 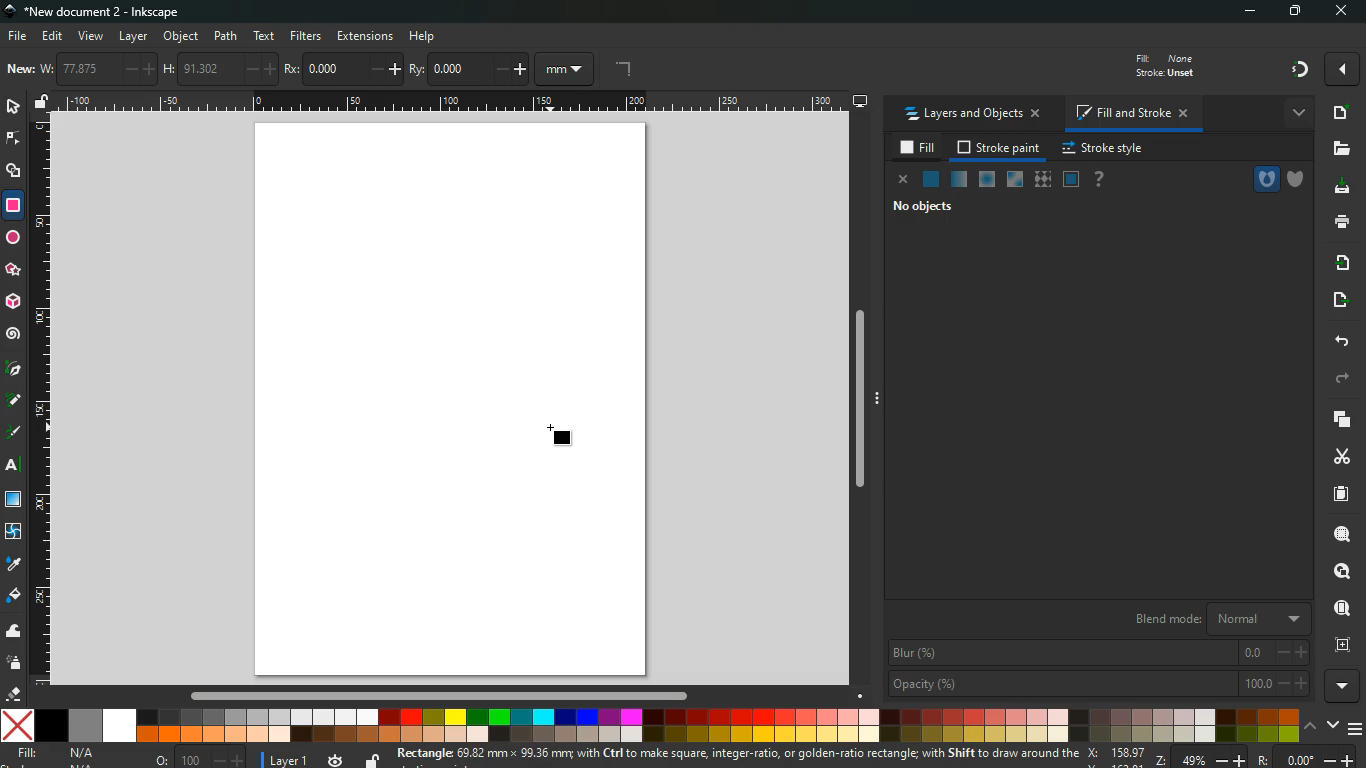 I want to click on h, so click(x=219, y=69).